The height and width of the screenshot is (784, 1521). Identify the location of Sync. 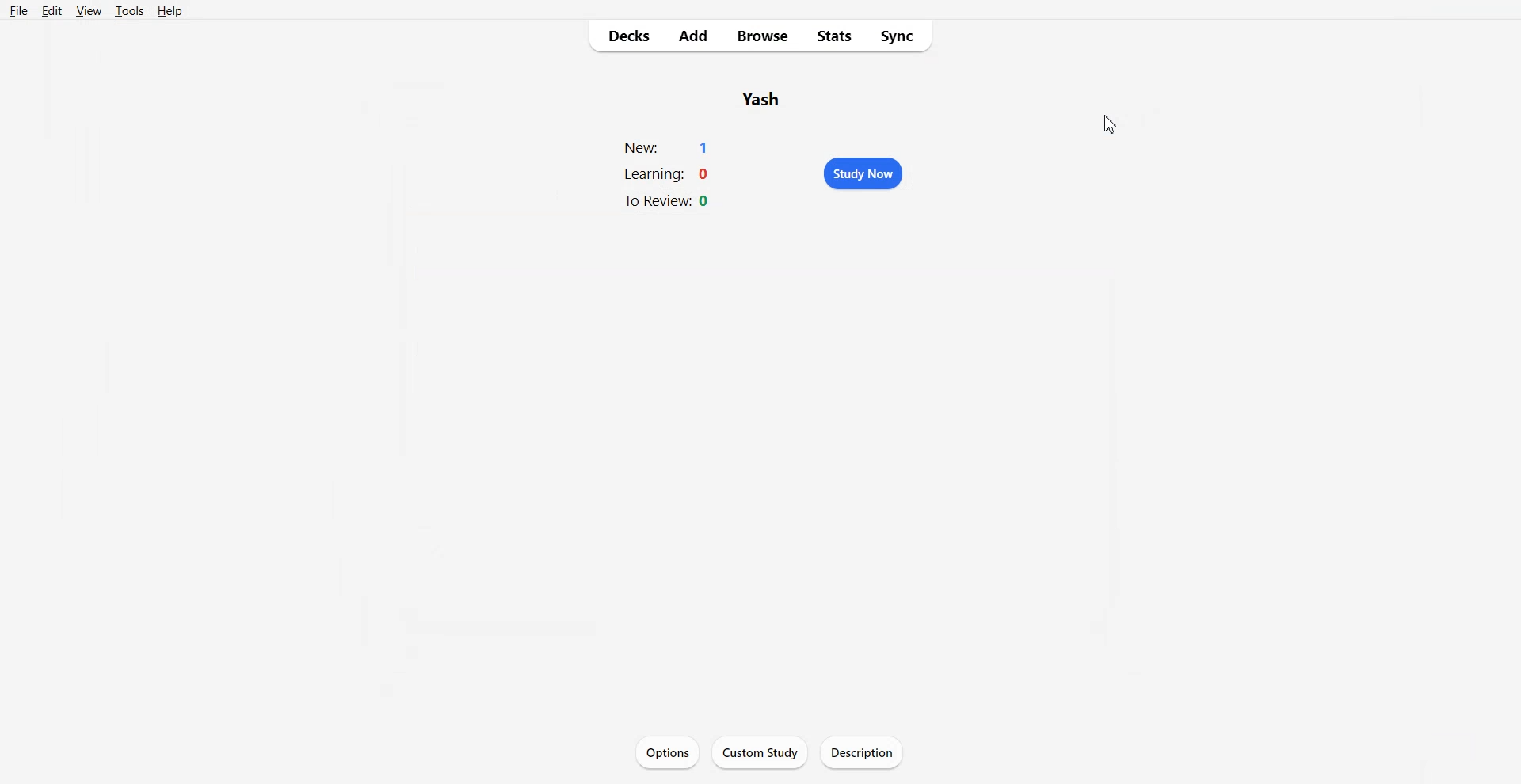
(898, 39).